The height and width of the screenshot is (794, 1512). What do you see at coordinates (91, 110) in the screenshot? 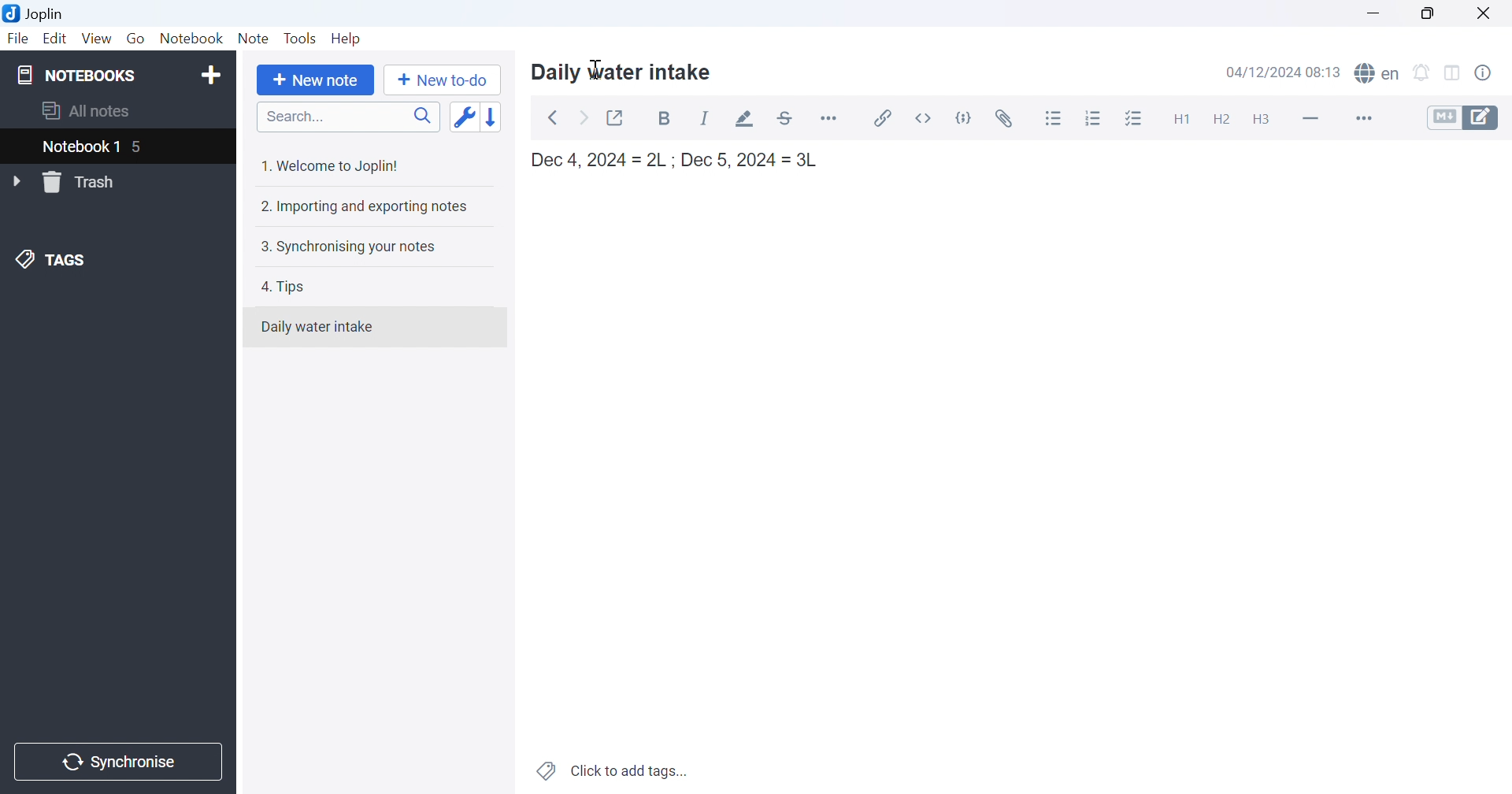
I see `All notes` at bounding box center [91, 110].